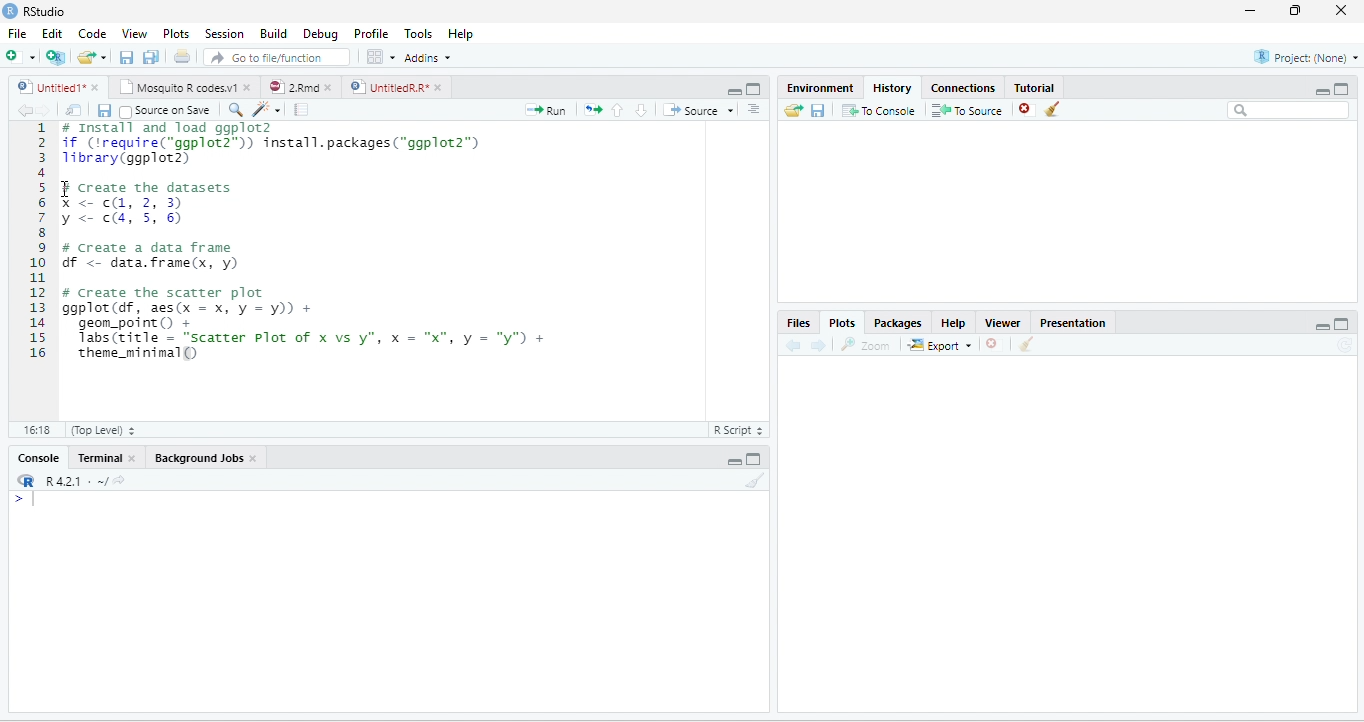 This screenshot has height=722, width=1364. I want to click on Go back to previous source location, so click(24, 111).